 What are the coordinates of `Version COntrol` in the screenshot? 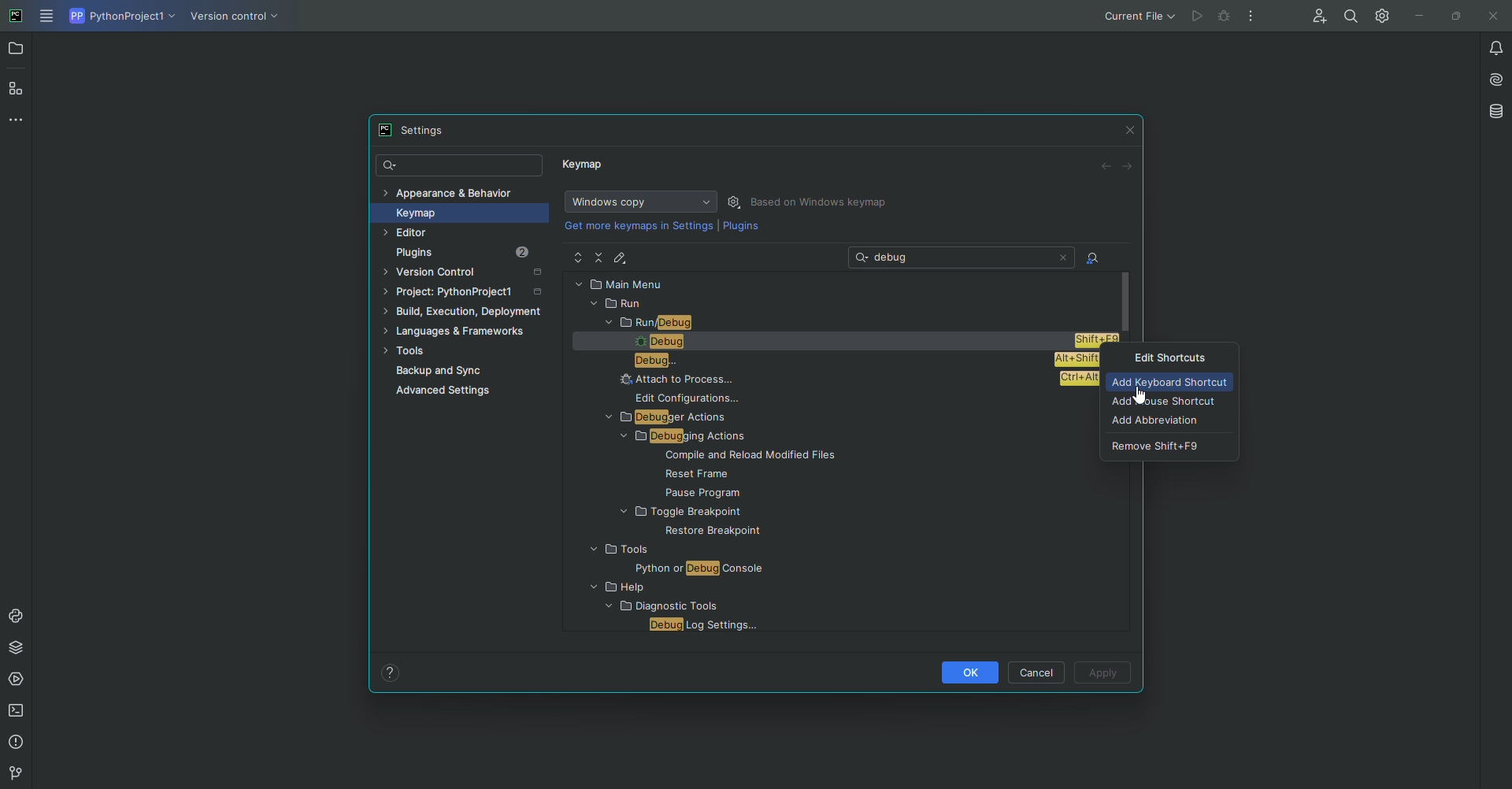 It's located at (238, 19).